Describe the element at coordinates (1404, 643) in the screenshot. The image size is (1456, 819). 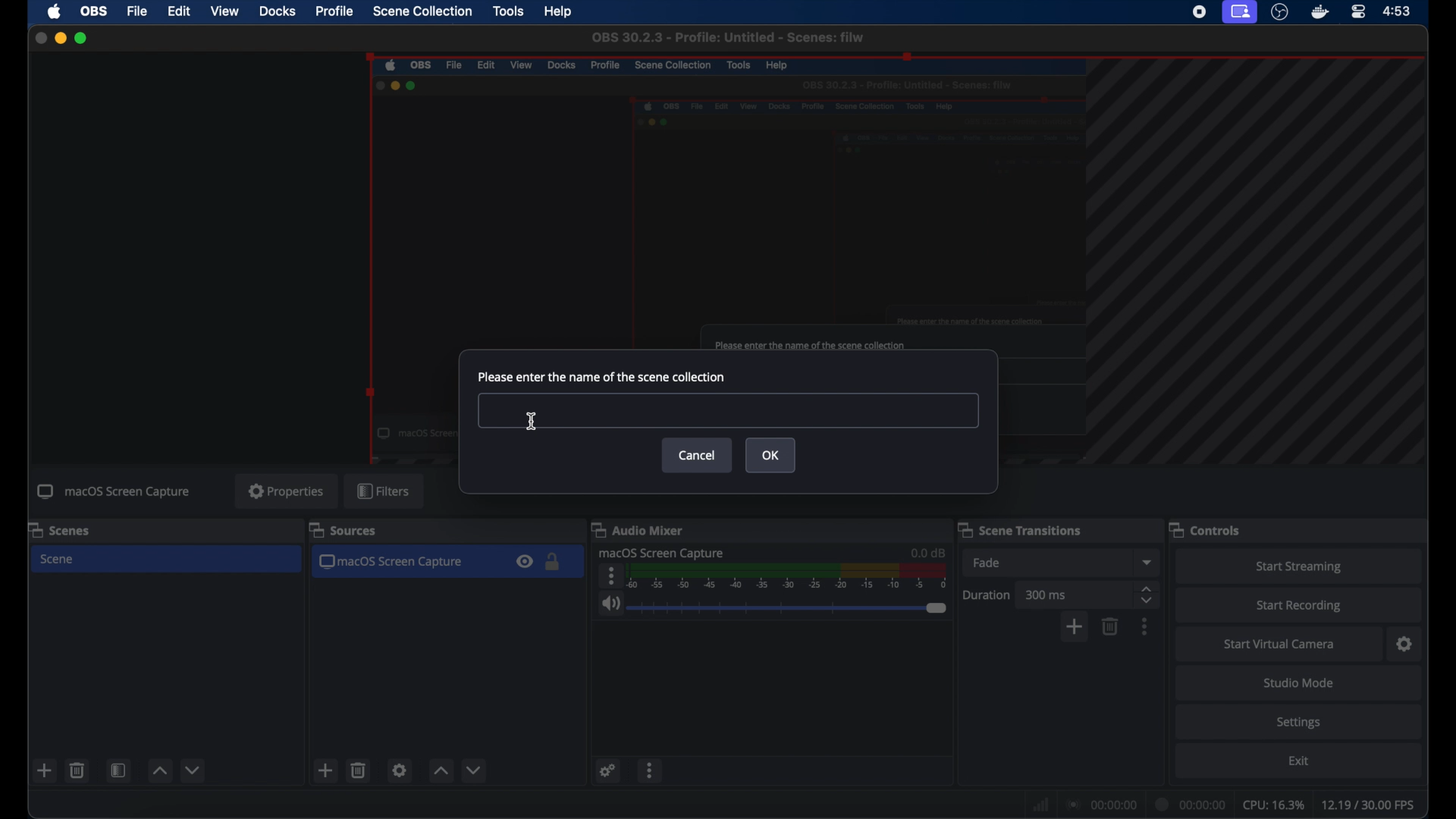
I see `settings` at that location.